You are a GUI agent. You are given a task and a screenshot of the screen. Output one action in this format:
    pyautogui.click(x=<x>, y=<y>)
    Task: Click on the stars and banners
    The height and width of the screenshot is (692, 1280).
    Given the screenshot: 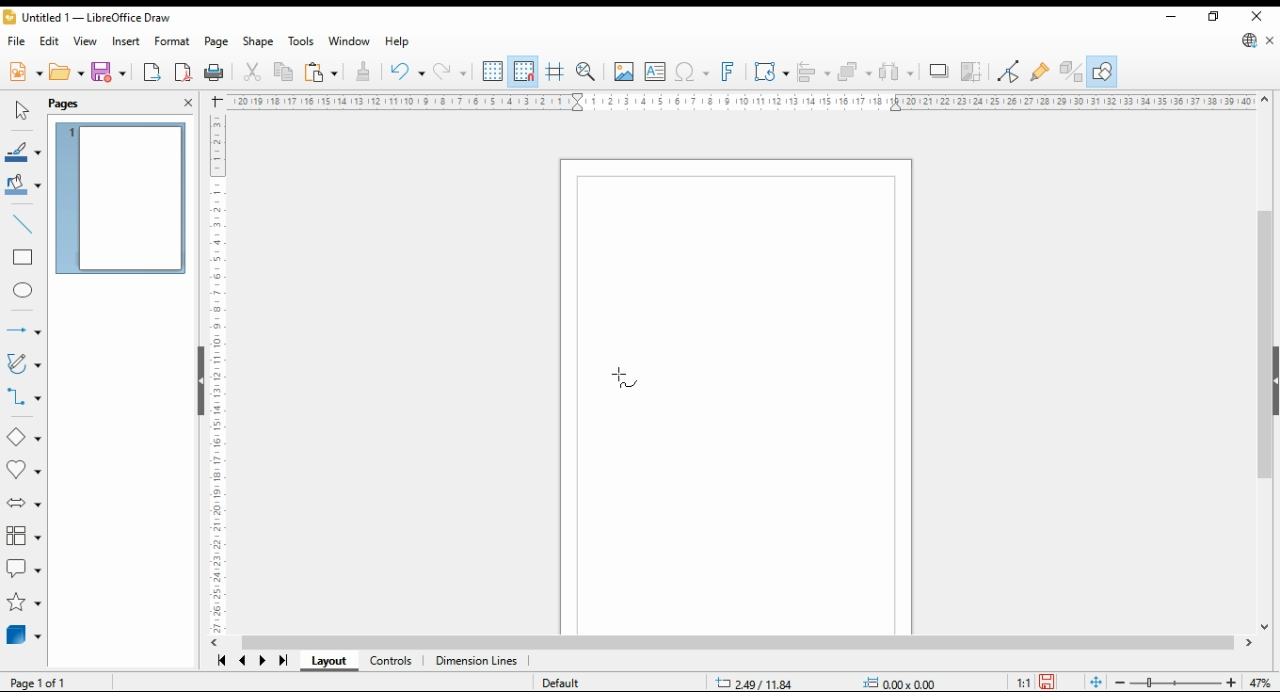 What is the action you would take?
    pyautogui.click(x=24, y=602)
    